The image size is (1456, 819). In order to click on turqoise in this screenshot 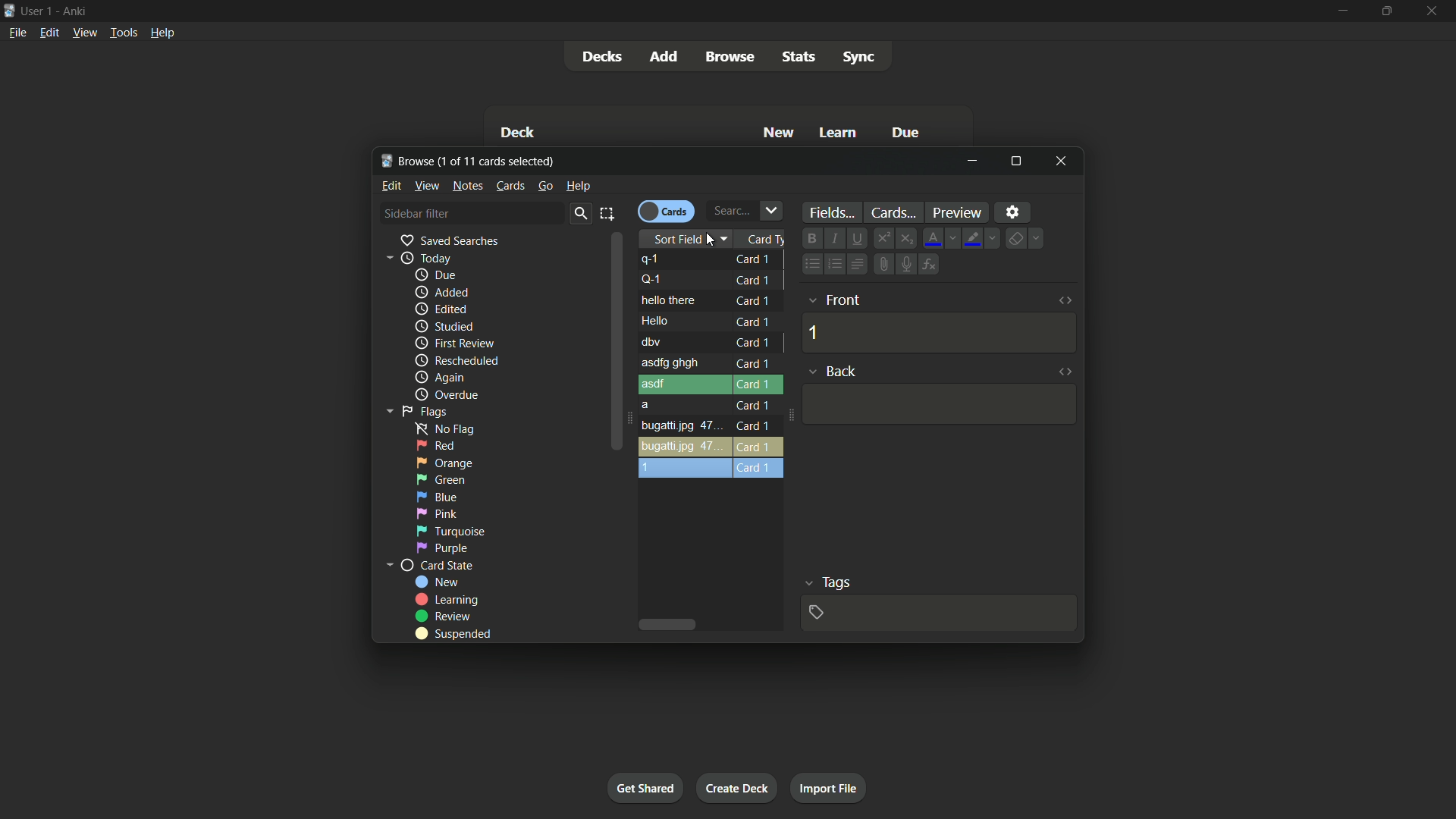, I will do `click(449, 532)`.